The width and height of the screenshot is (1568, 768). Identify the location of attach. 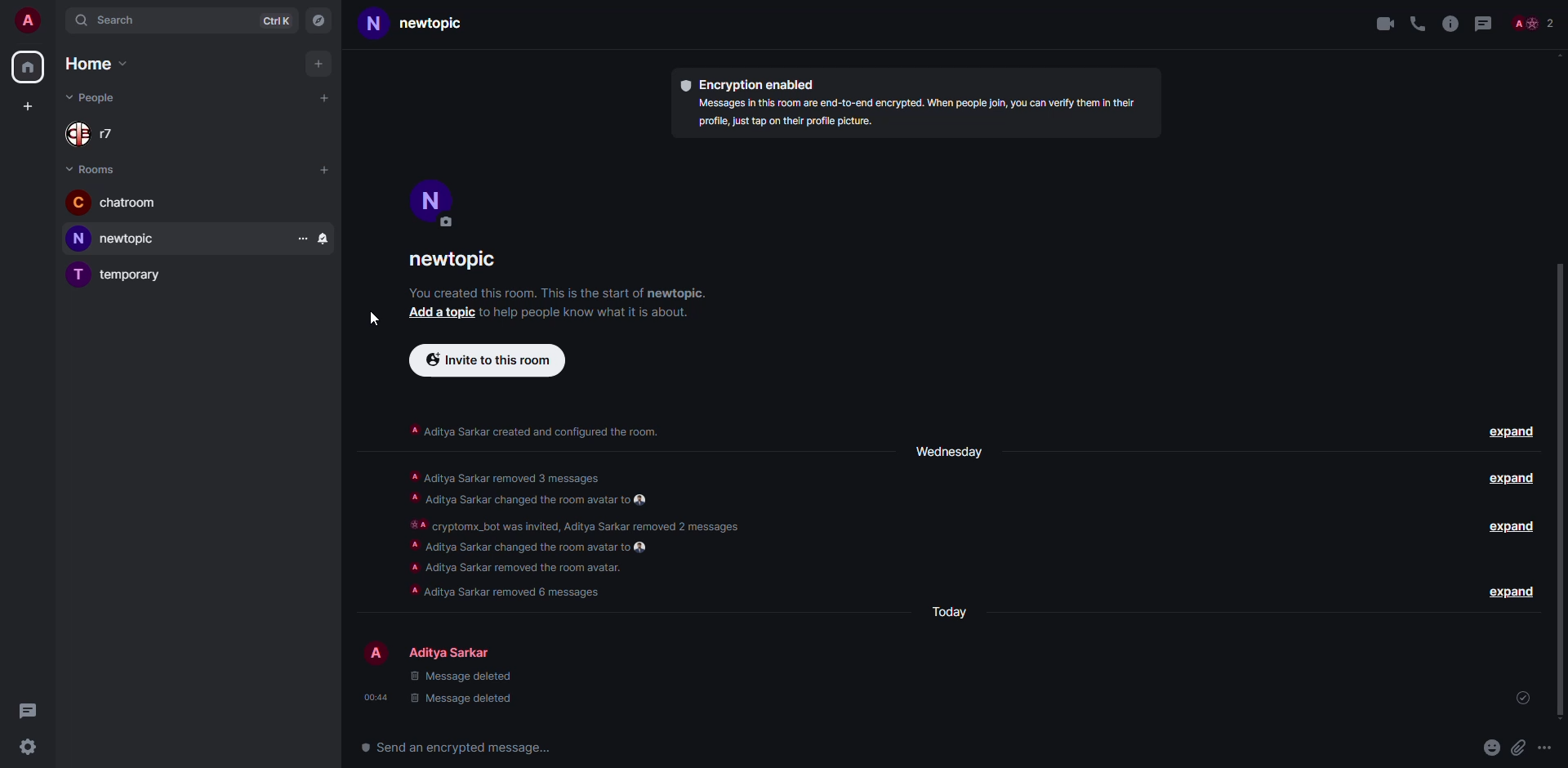
(1519, 748).